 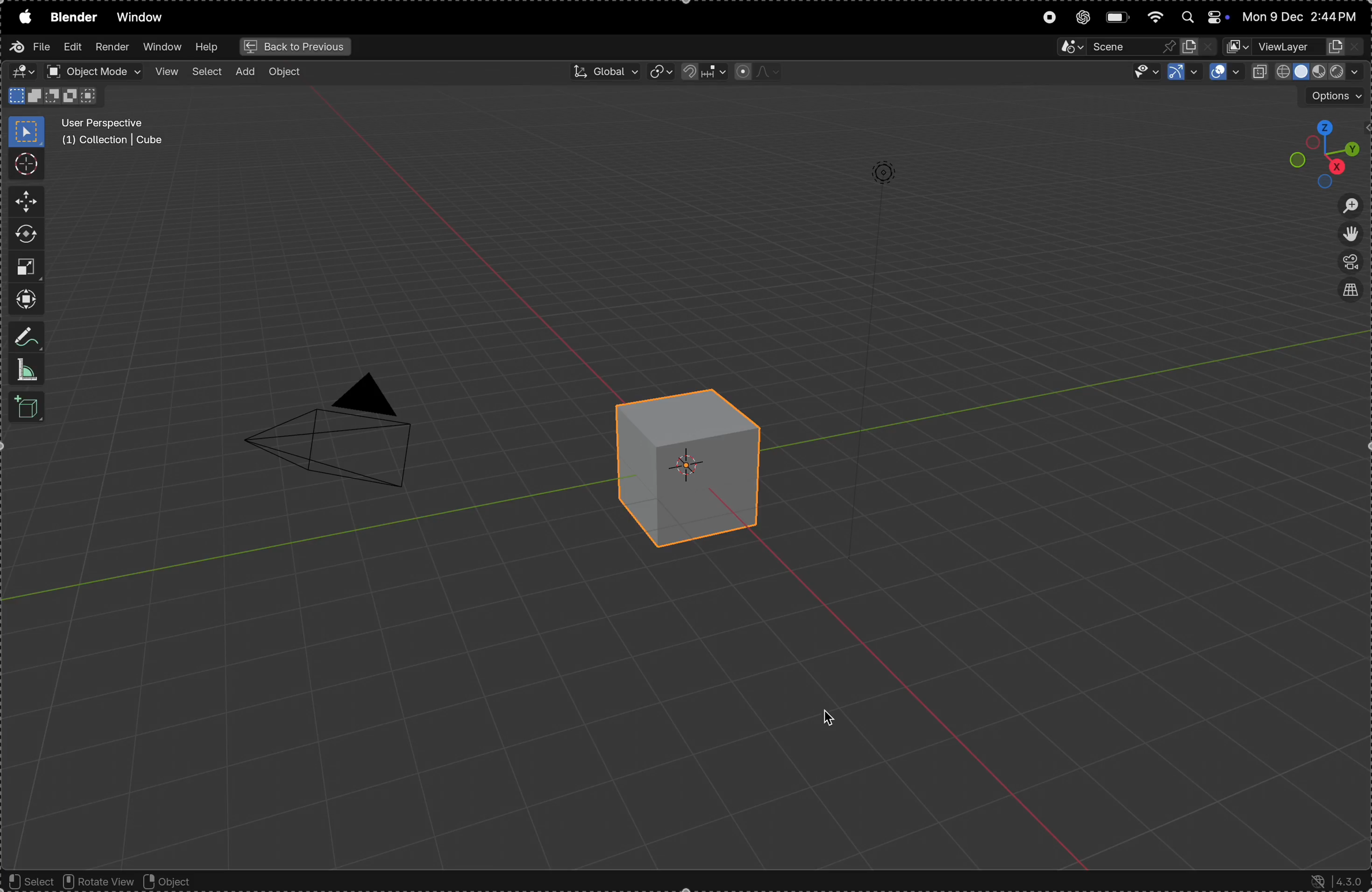 I want to click on version, so click(x=1339, y=881).